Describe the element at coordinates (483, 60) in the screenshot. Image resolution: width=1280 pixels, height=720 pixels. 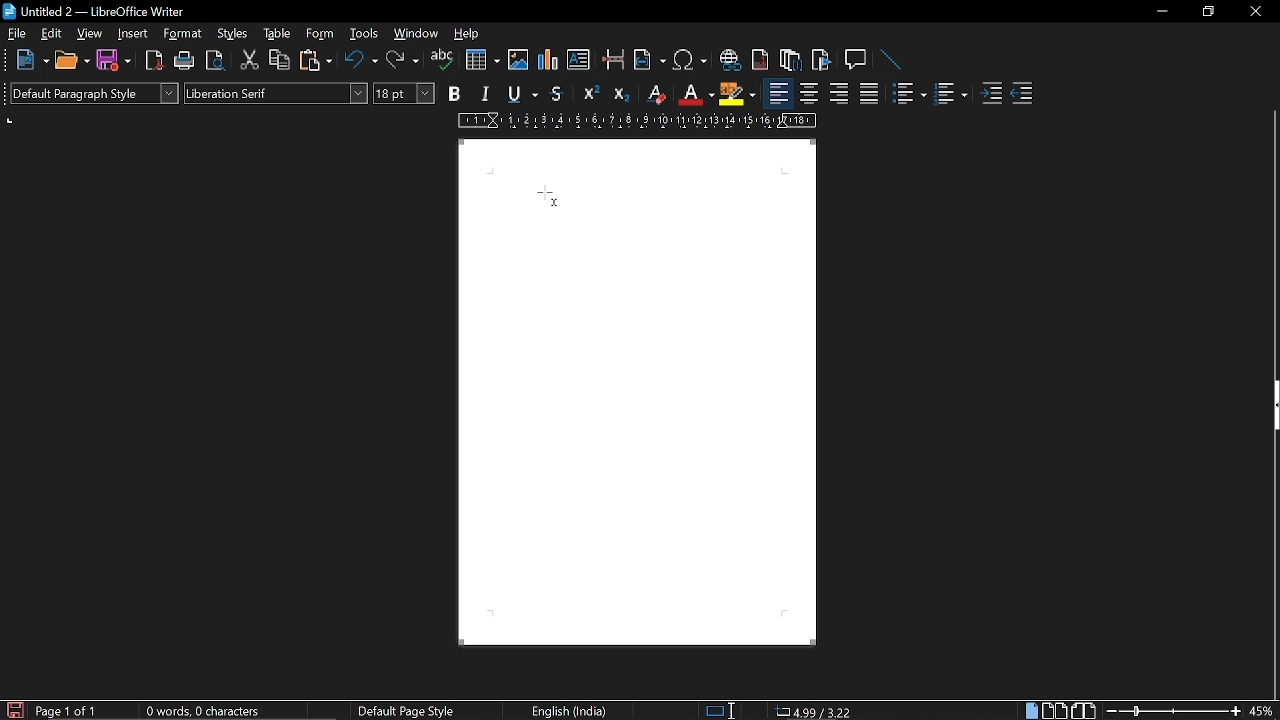
I see `insert chart` at that location.